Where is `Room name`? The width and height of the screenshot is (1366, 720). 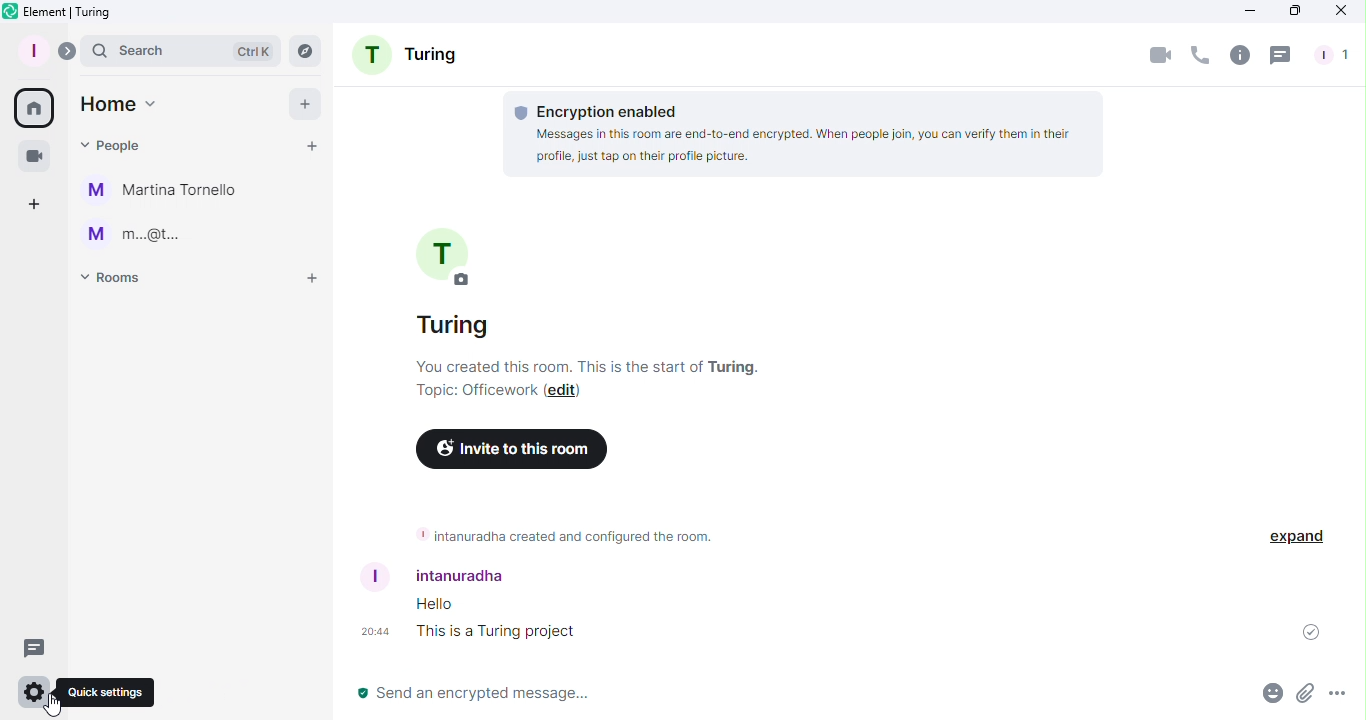
Room name is located at coordinates (451, 283).